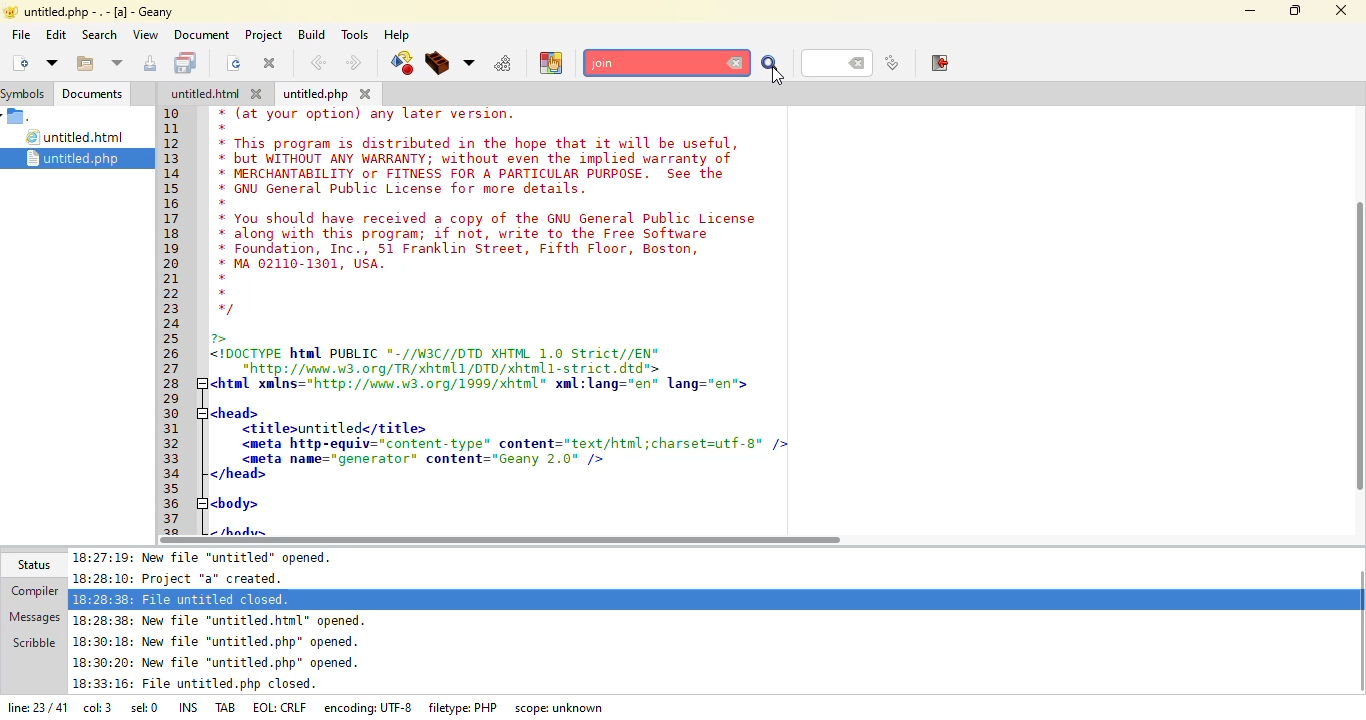 This screenshot has width=1366, height=720. I want to click on scribble, so click(33, 641).